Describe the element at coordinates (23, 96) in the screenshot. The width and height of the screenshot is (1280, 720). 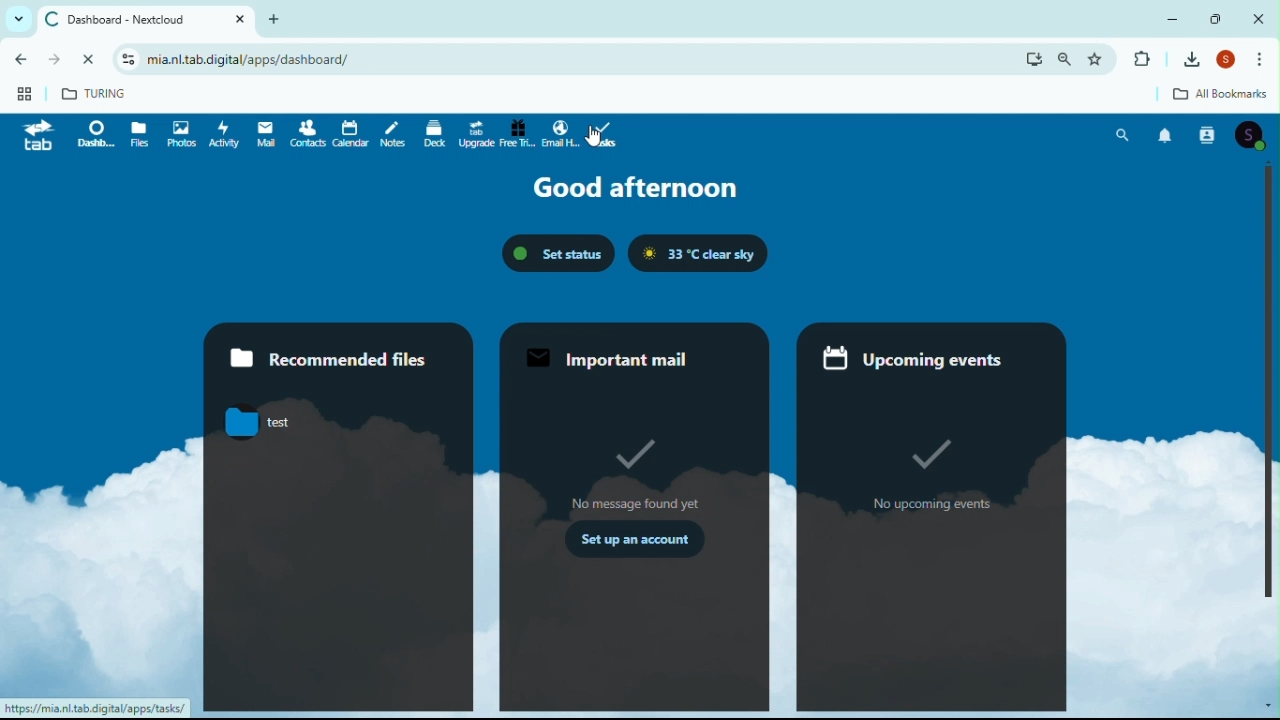
I see `Web` at that location.